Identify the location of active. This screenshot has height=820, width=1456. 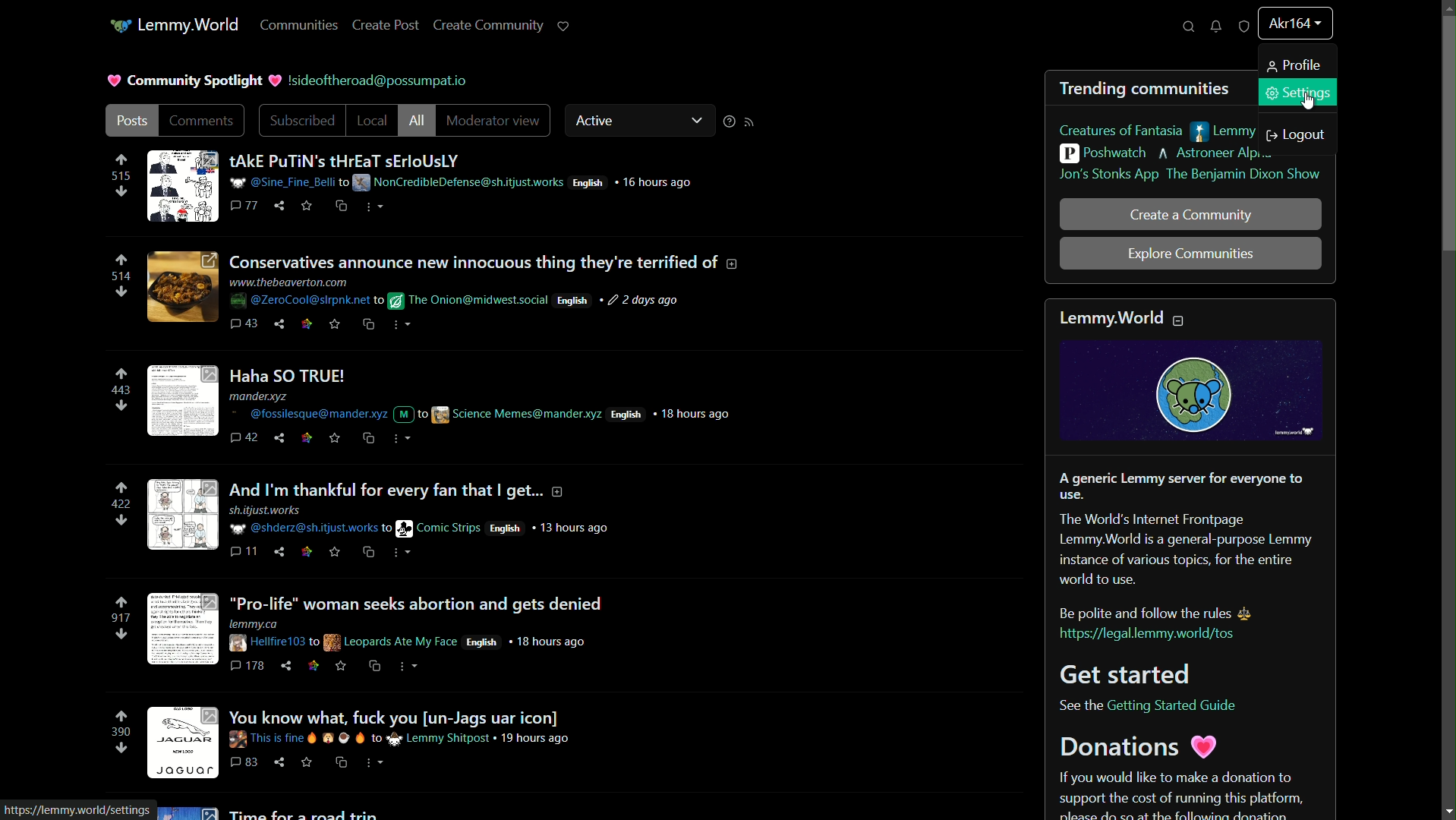
(600, 119).